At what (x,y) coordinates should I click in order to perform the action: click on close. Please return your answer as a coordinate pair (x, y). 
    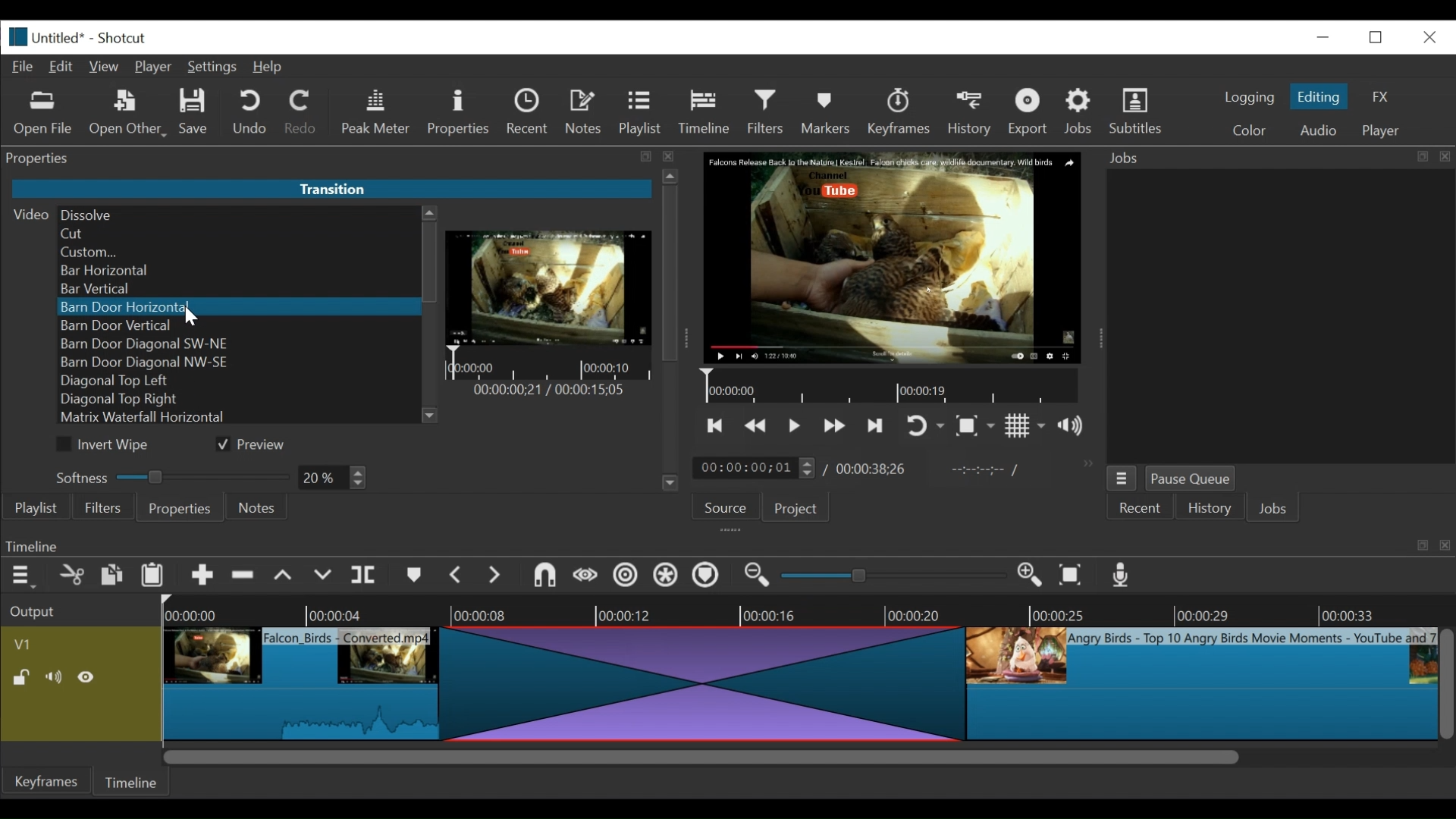
    Looking at the image, I should click on (1428, 36).